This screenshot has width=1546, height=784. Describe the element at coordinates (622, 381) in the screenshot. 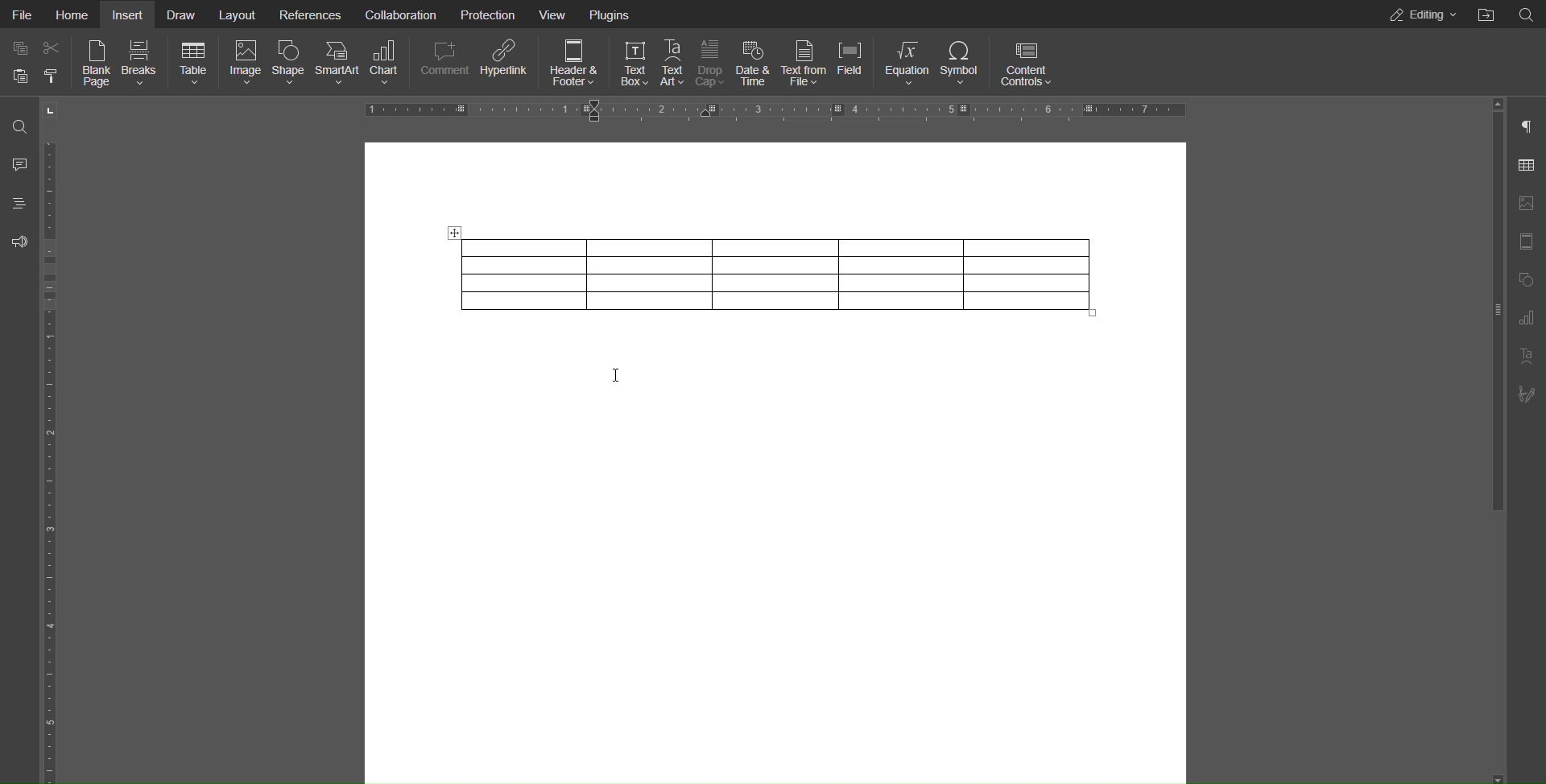

I see `Cursor` at that location.